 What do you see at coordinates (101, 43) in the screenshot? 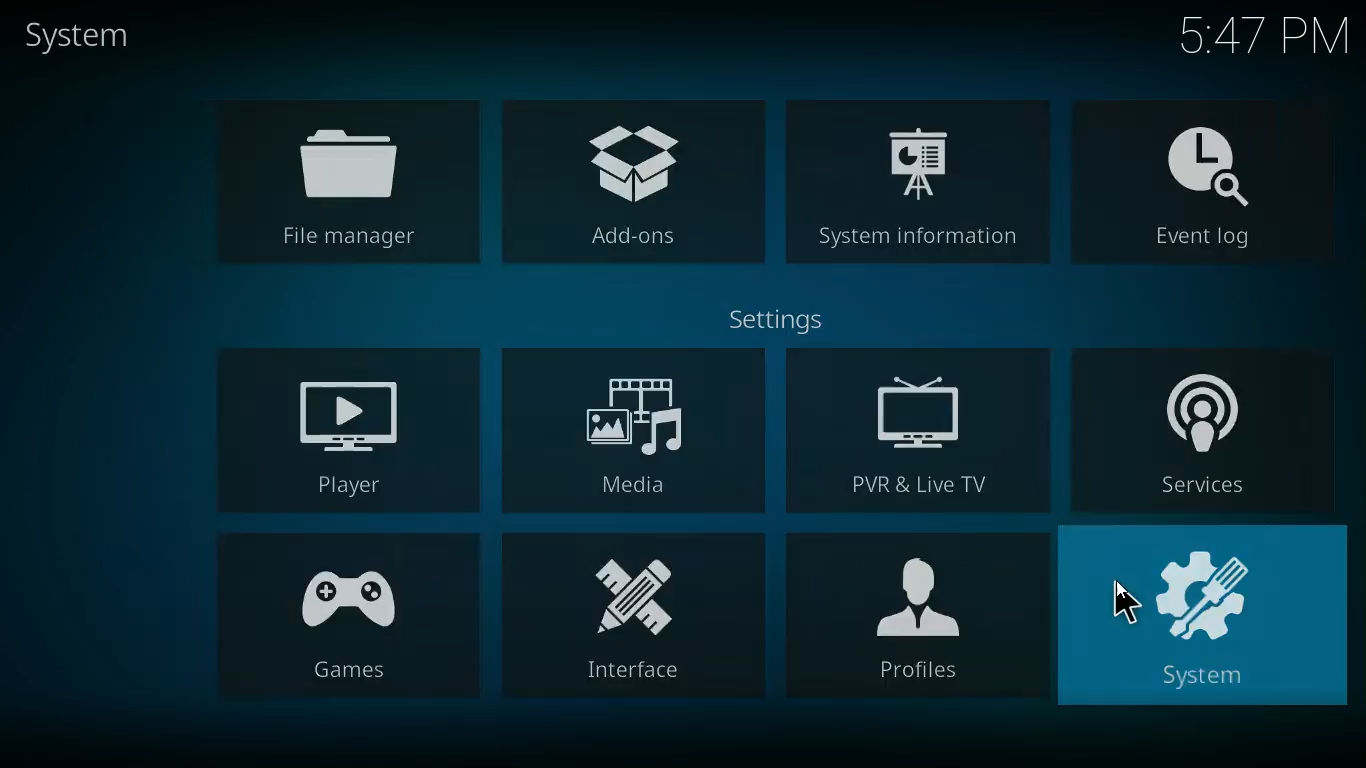
I see `system` at bounding box center [101, 43].